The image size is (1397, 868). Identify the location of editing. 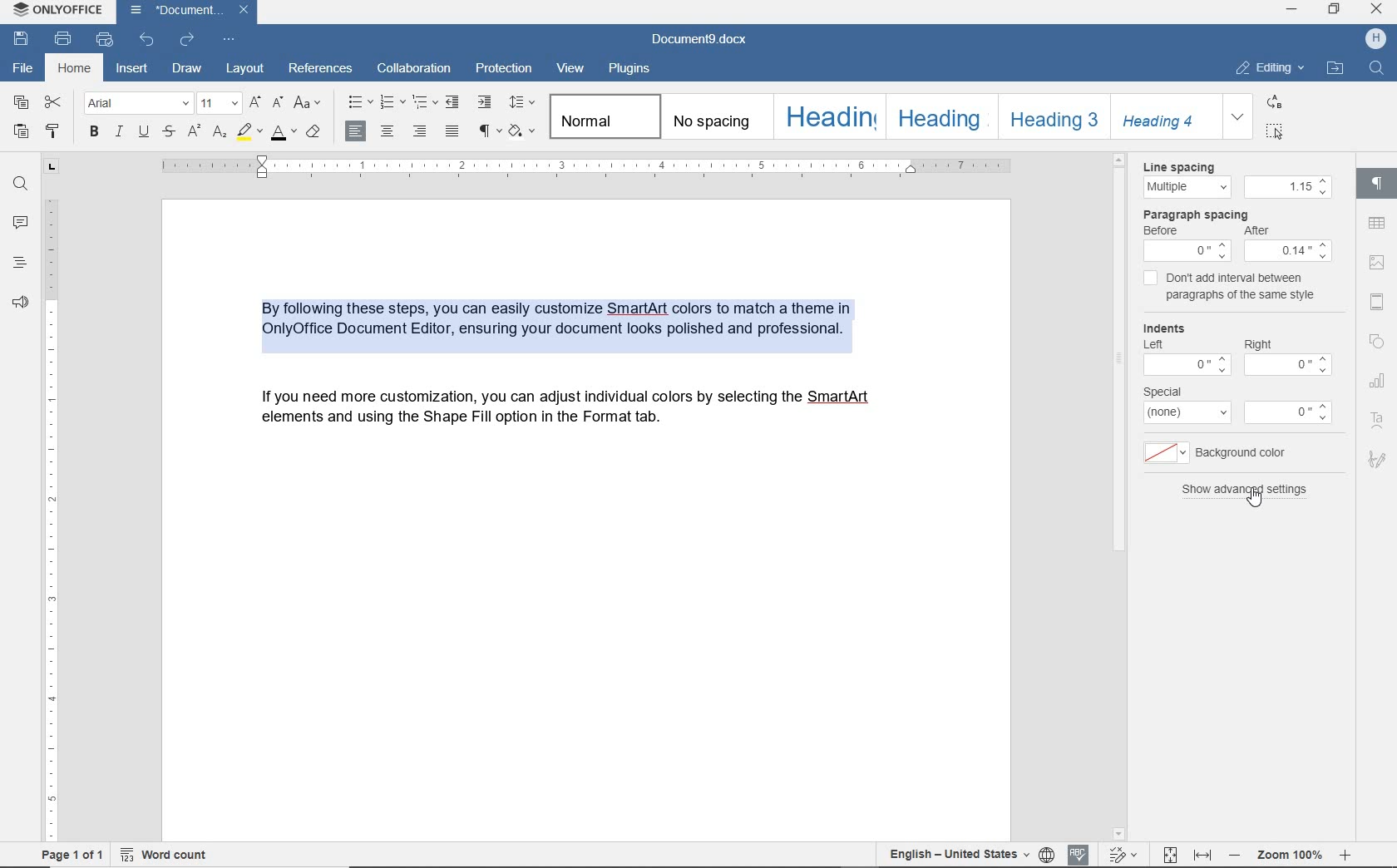
(1270, 68).